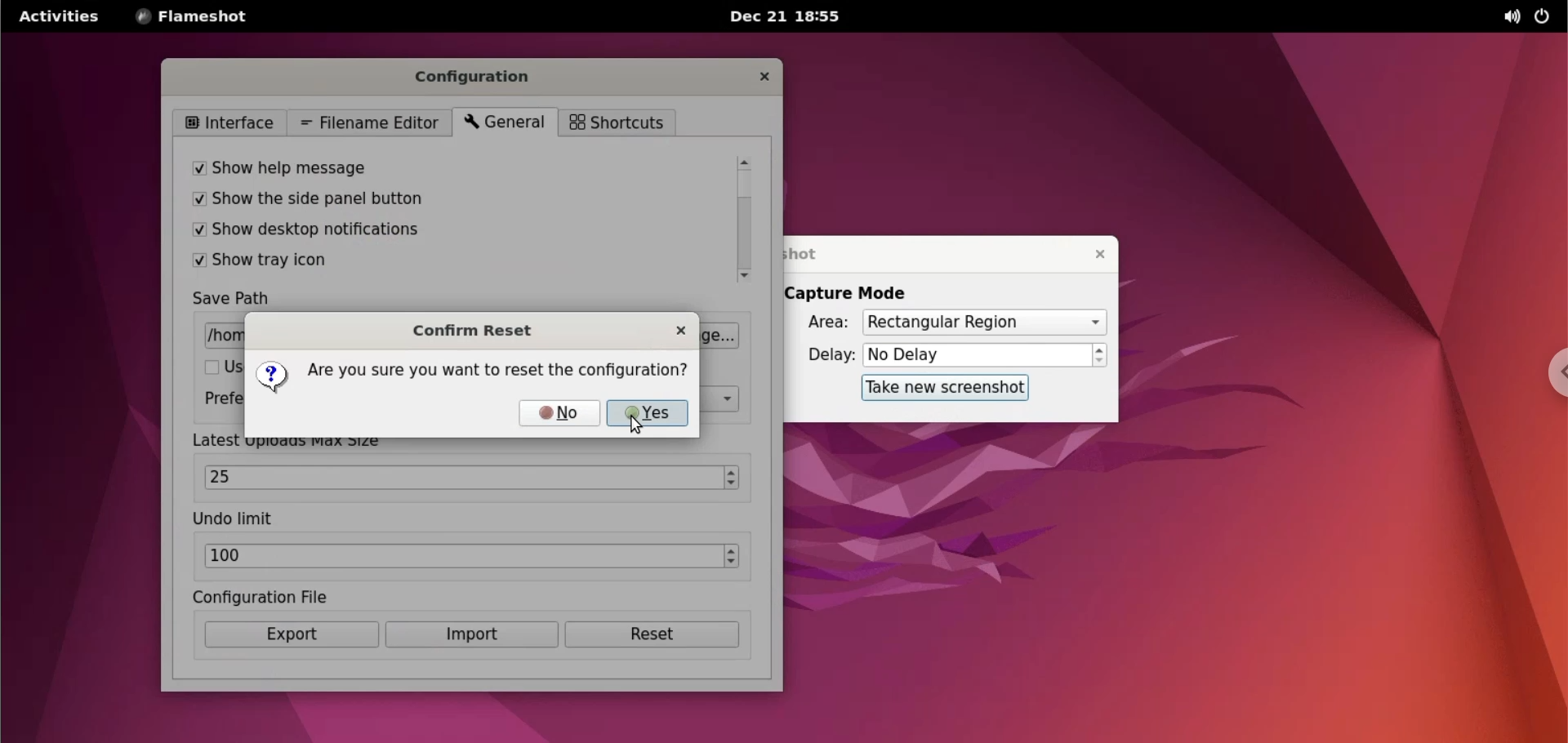 This screenshot has height=743, width=1568. Describe the element at coordinates (783, 18) in the screenshot. I see `Dec 21 18:55` at that location.